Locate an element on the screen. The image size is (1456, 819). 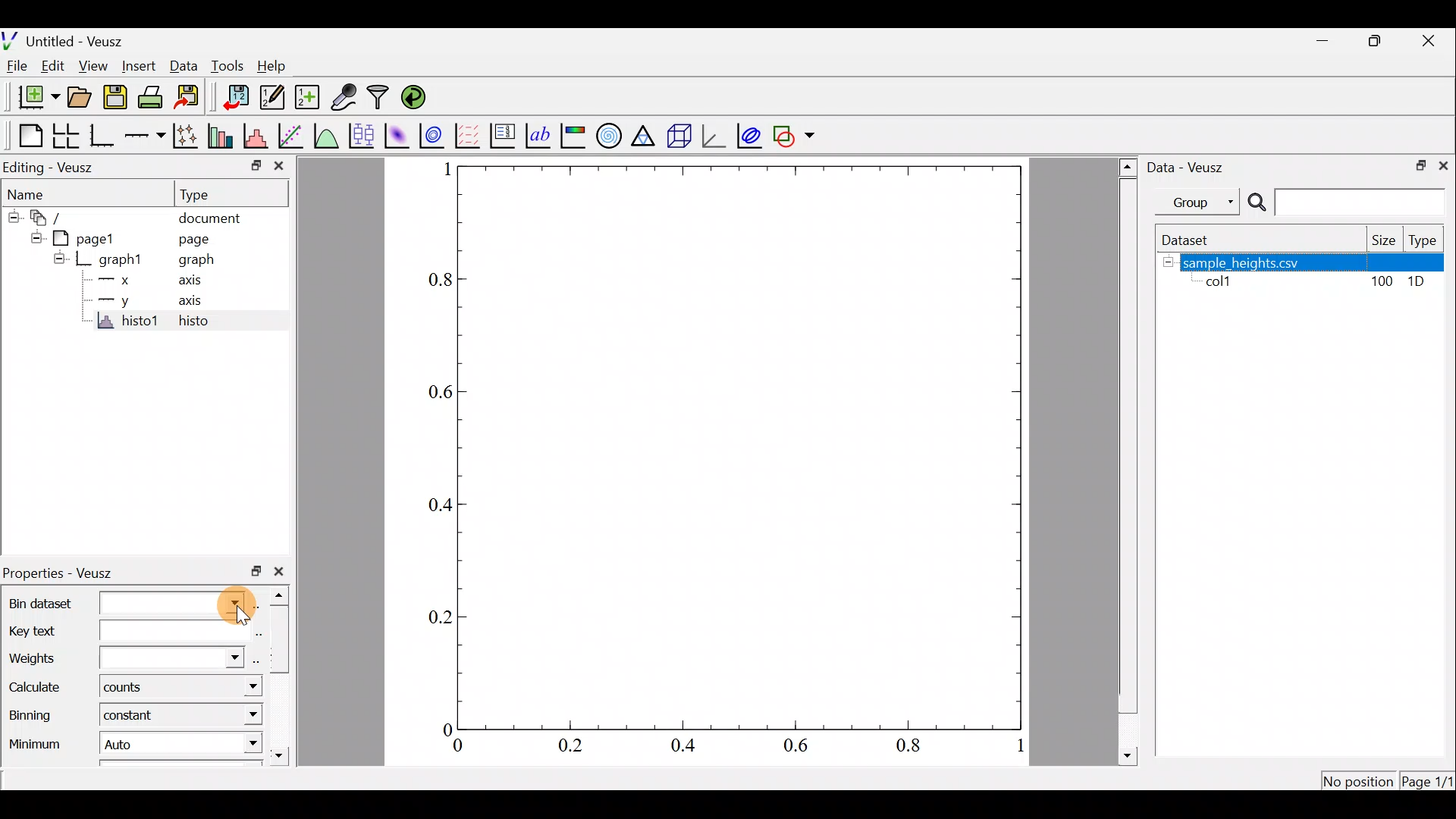
create new datasets using ranges, parametrically or as functions of existing dataset. is located at coordinates (306, 96).